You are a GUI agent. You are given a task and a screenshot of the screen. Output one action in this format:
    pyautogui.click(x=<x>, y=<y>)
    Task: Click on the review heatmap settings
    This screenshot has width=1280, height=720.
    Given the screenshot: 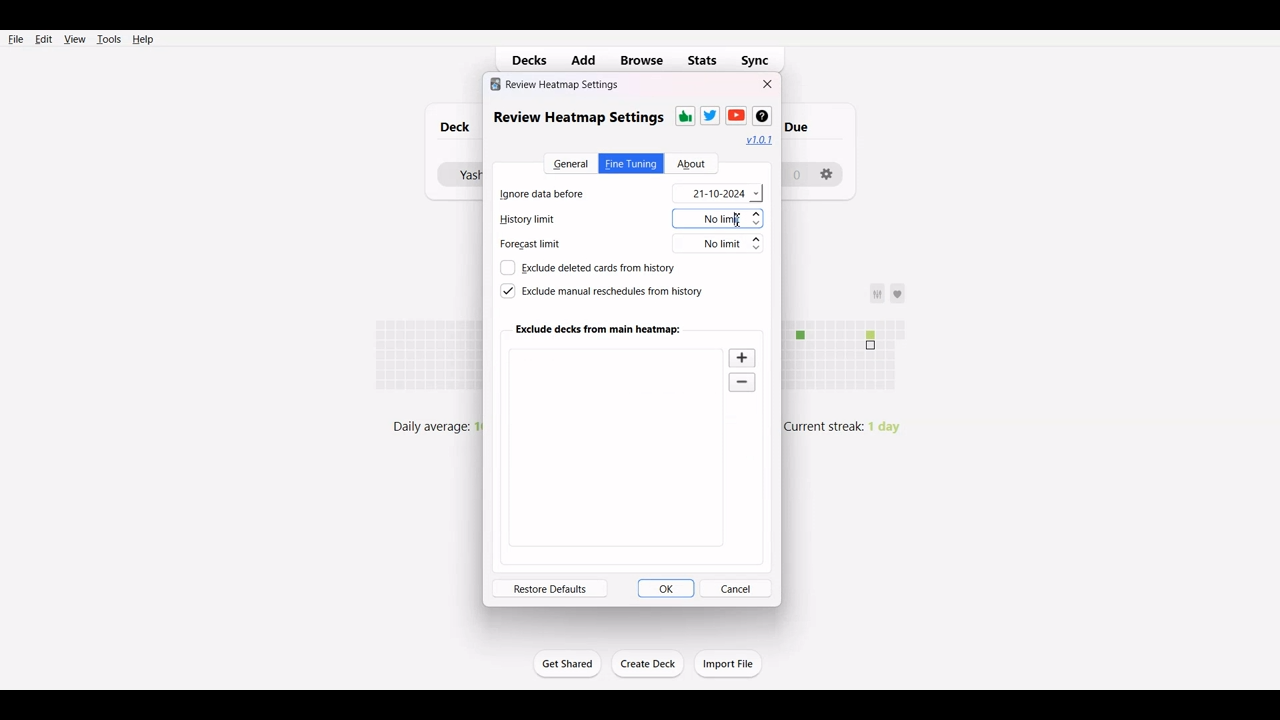 What is the action you would take?
    pyautogui.click(x=555, y=84)
    